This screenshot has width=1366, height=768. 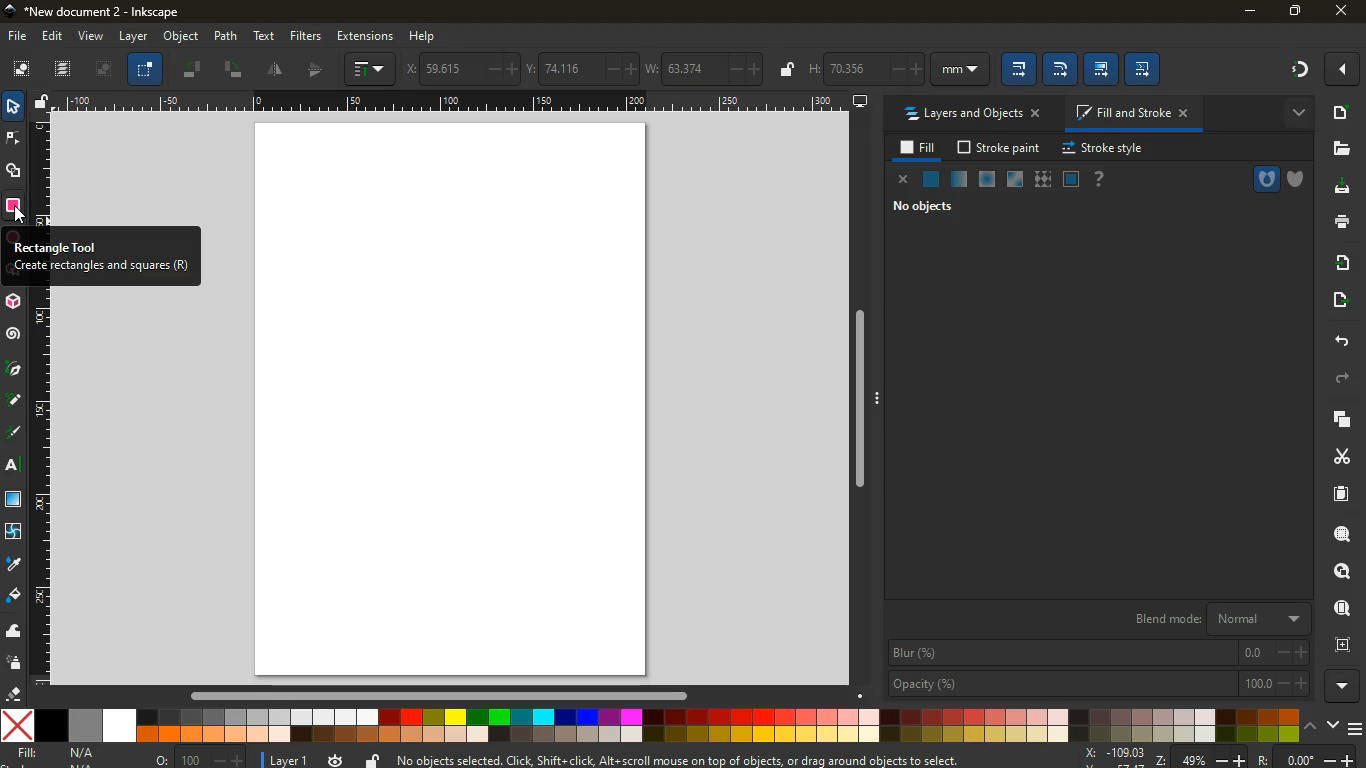 What do you see at coordinates (372, 69) in the screenshot?
I see `graph` at bounding box center [372, 69].